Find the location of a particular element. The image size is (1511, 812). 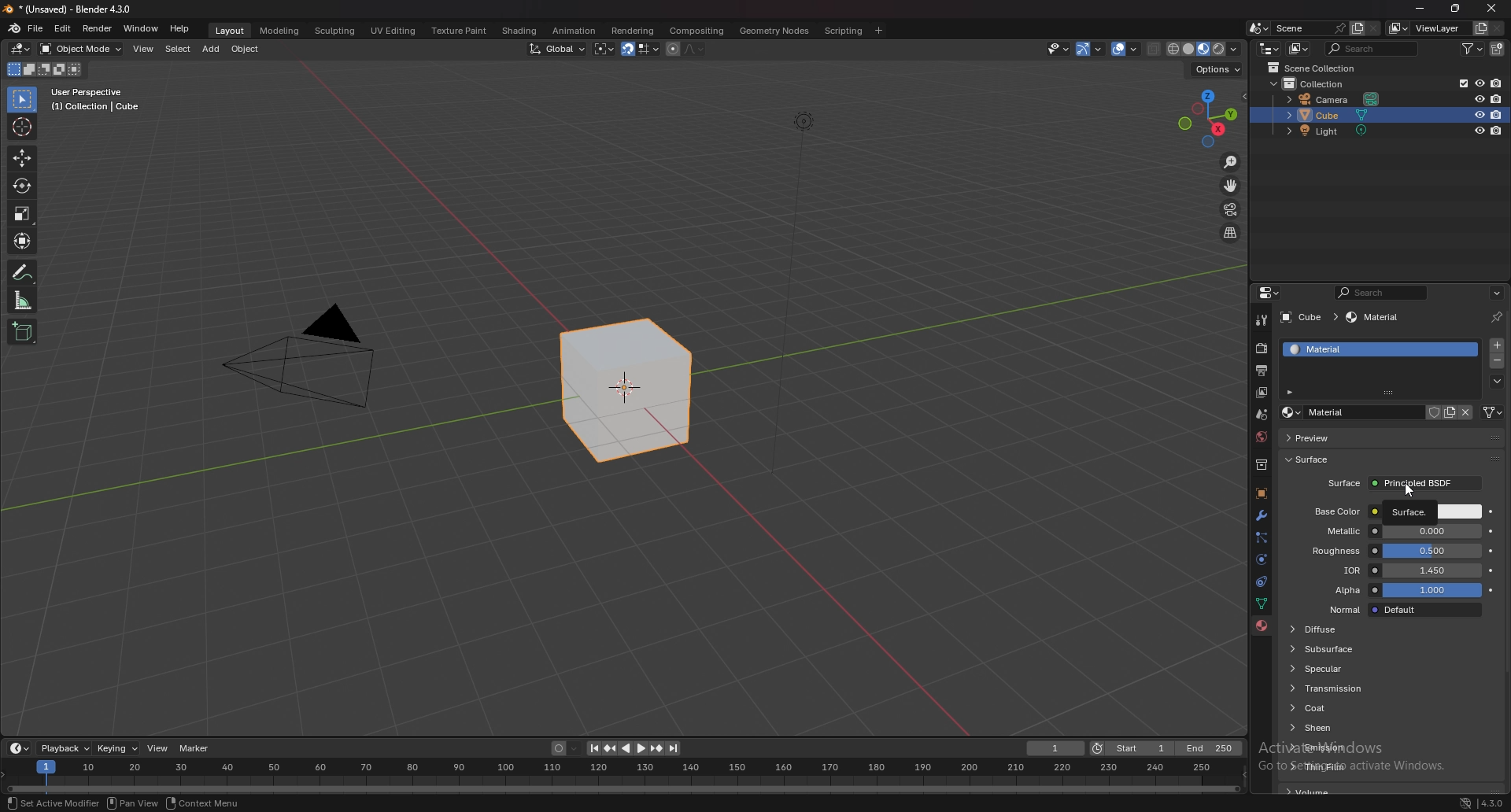

move is located at coordinates (1232, 186).